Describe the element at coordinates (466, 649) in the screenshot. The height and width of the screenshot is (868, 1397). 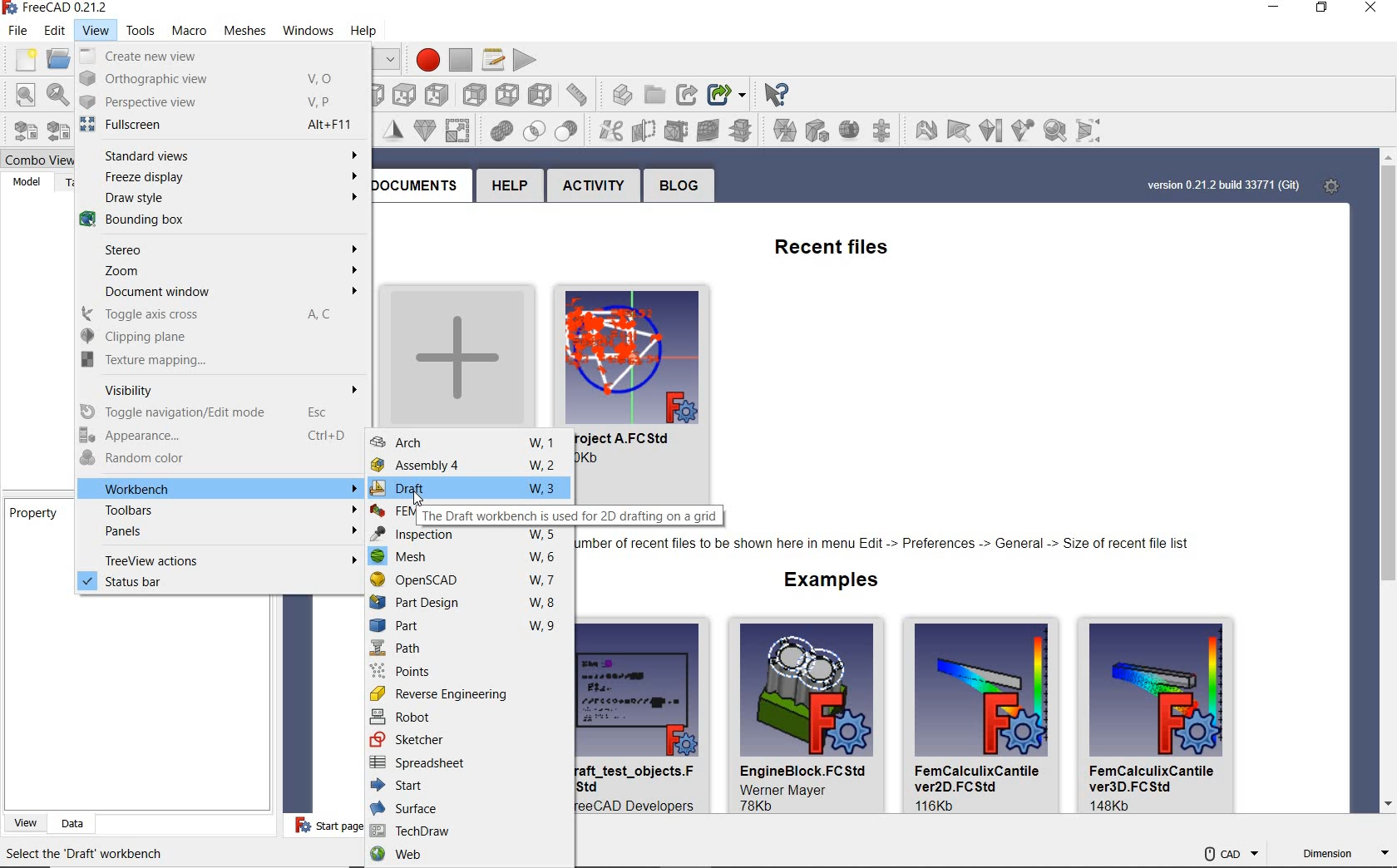
I see `path` at that location.